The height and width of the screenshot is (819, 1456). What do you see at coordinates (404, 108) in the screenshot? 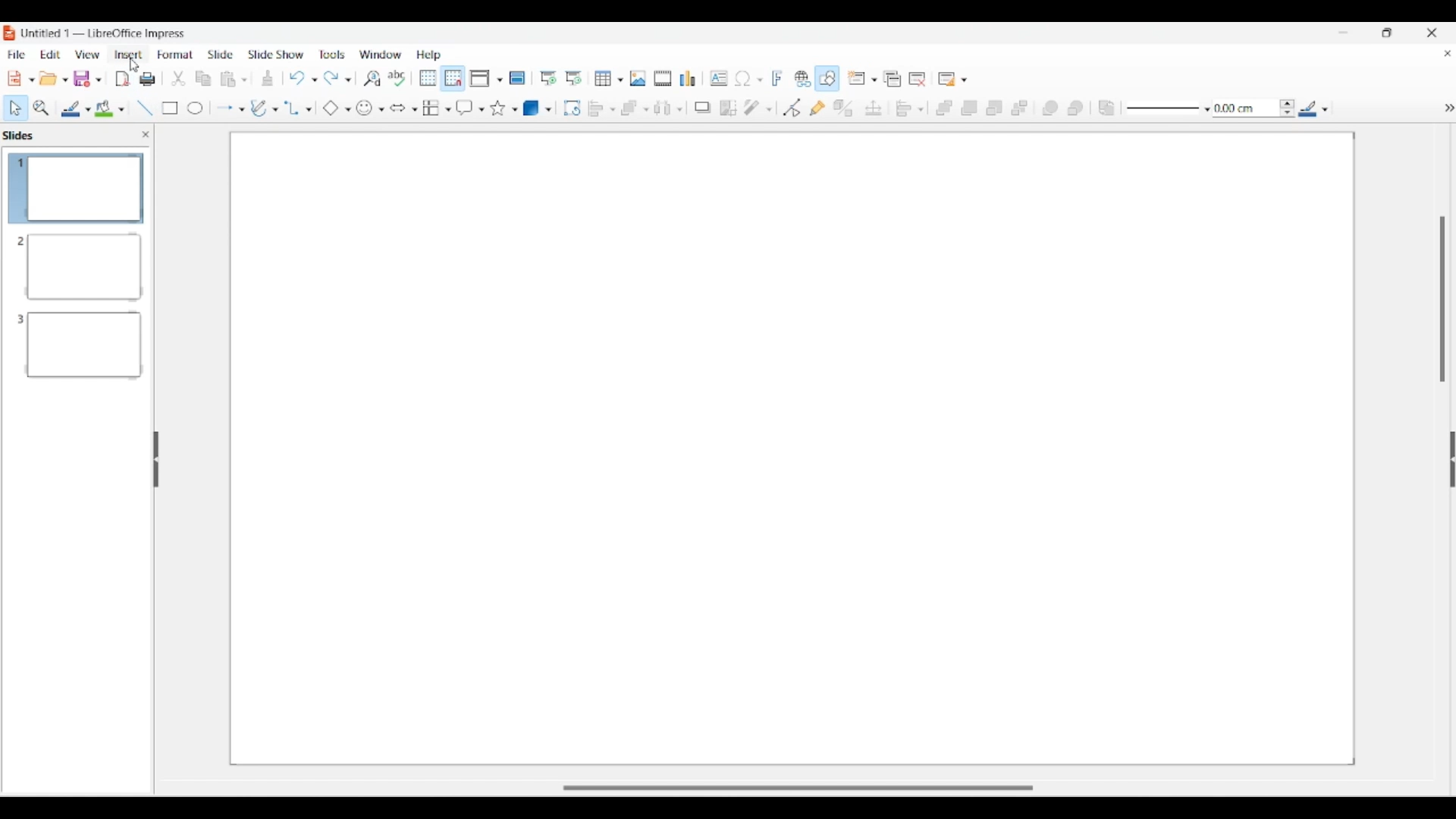
I see `Block arrow options` at bounding box center [404, 108].